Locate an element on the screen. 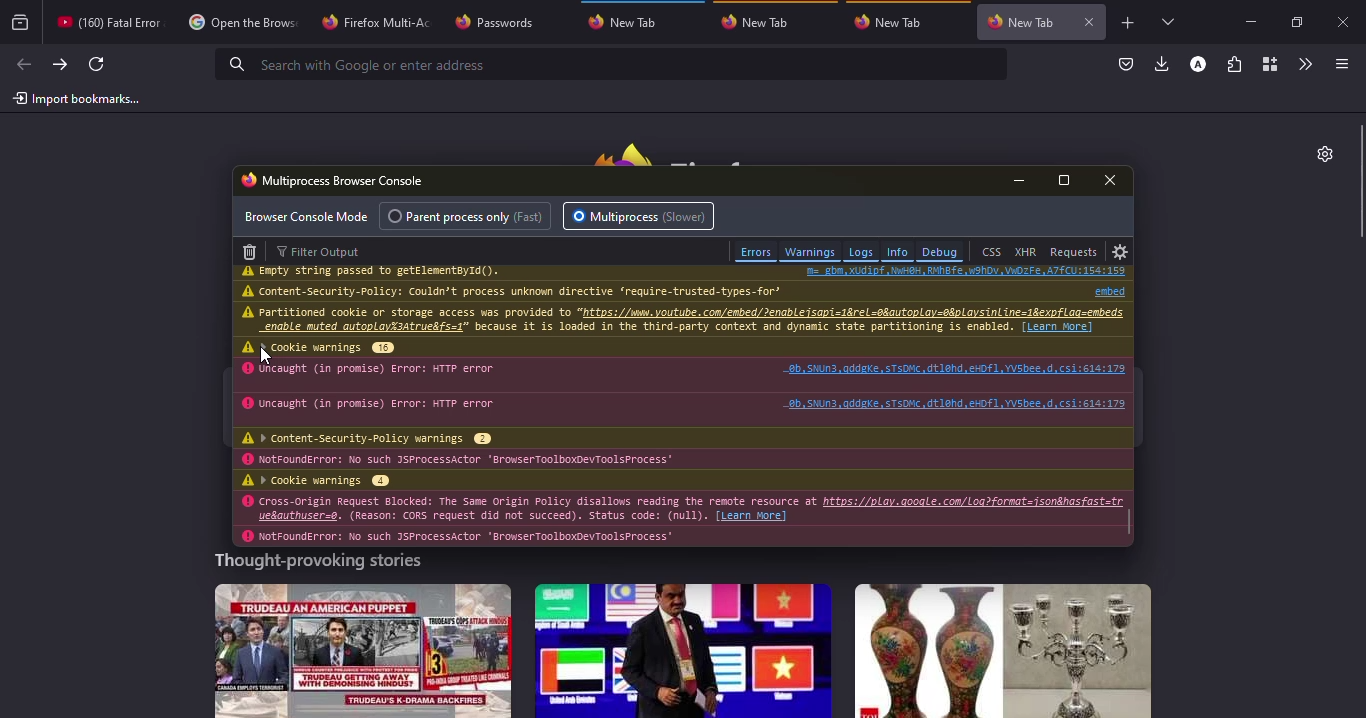 This screenshot has height=718, width=1366. warning is located at coordinates (246, 438).